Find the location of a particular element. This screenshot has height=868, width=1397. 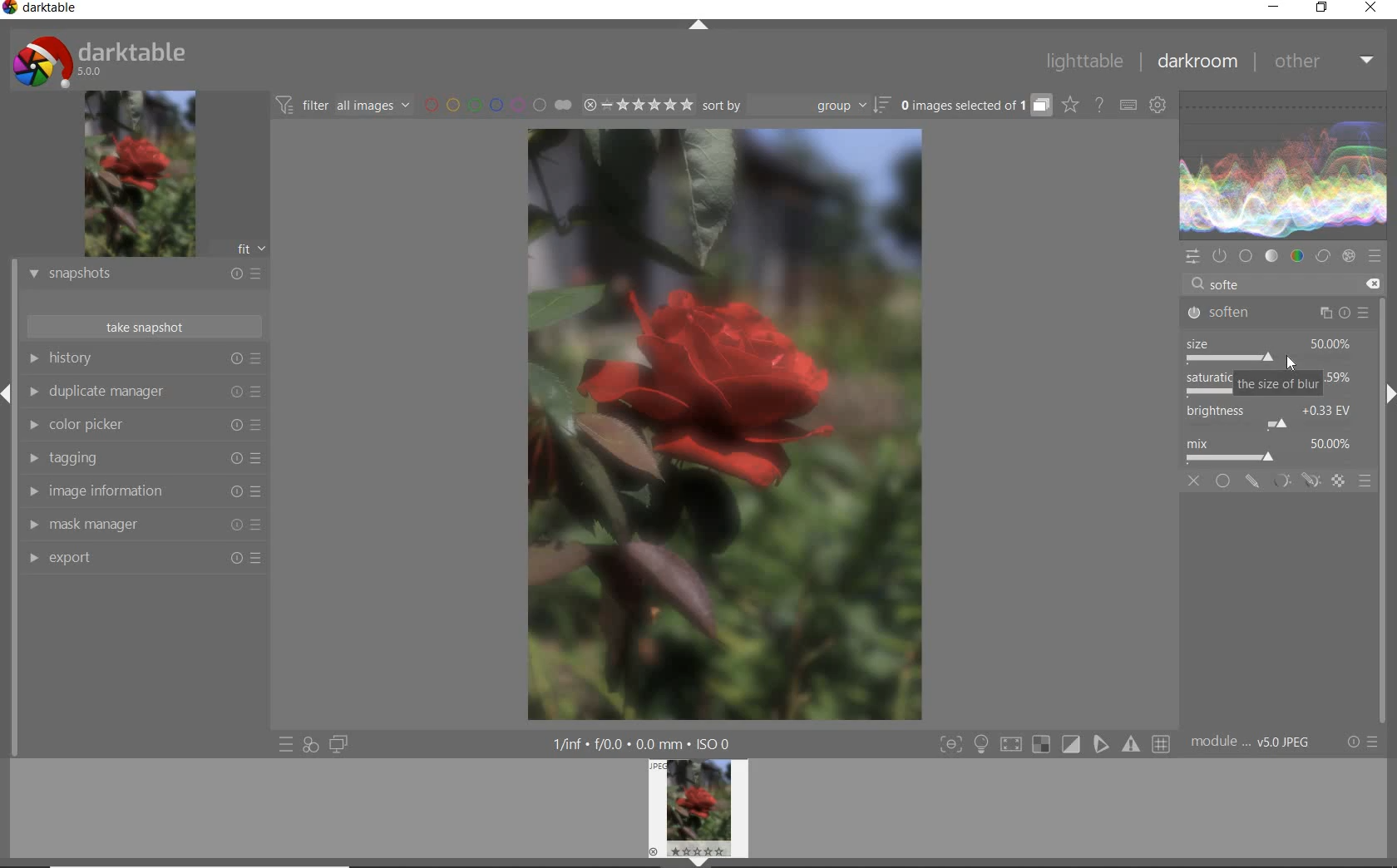

Expand/Collapse is located at coordinates (8, 392).